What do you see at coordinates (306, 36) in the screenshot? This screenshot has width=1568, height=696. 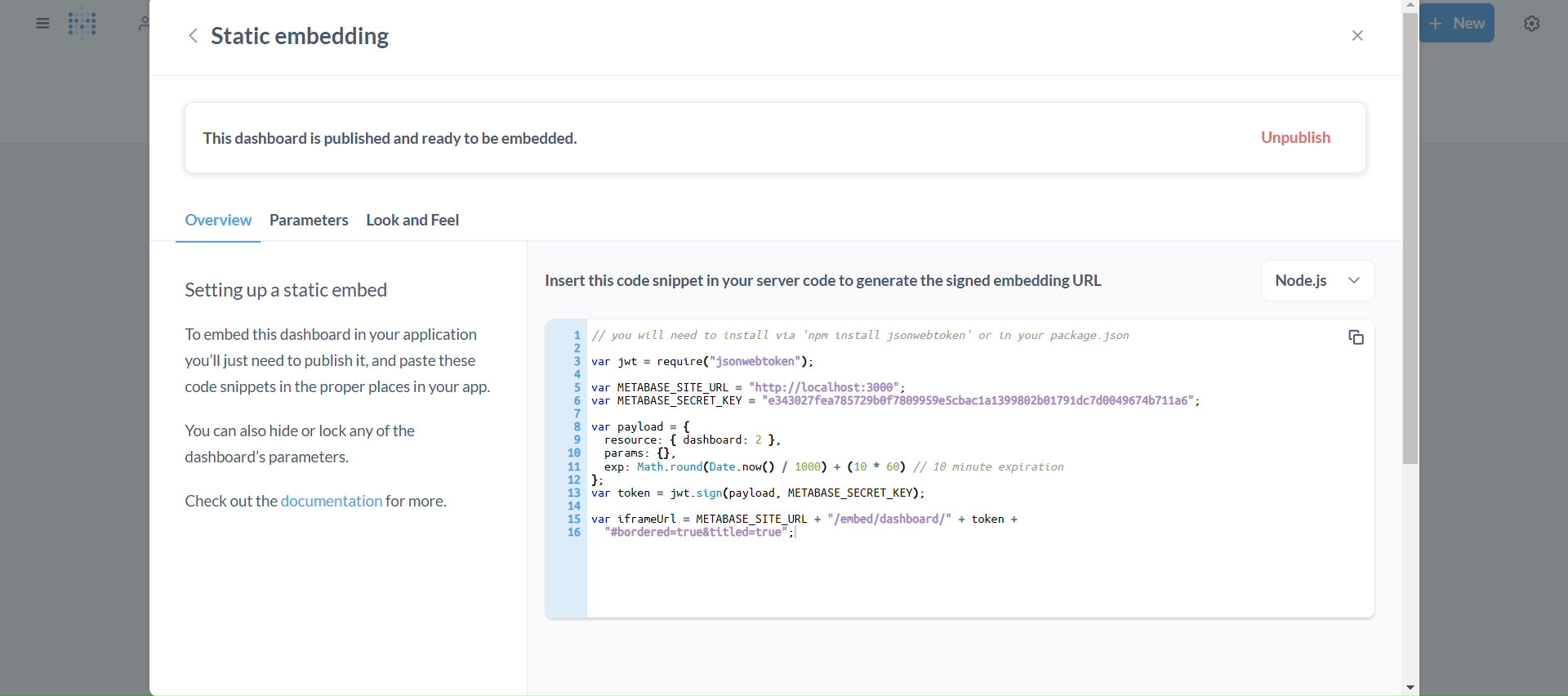 I see `static embedding` at bounding box center [306, 36].